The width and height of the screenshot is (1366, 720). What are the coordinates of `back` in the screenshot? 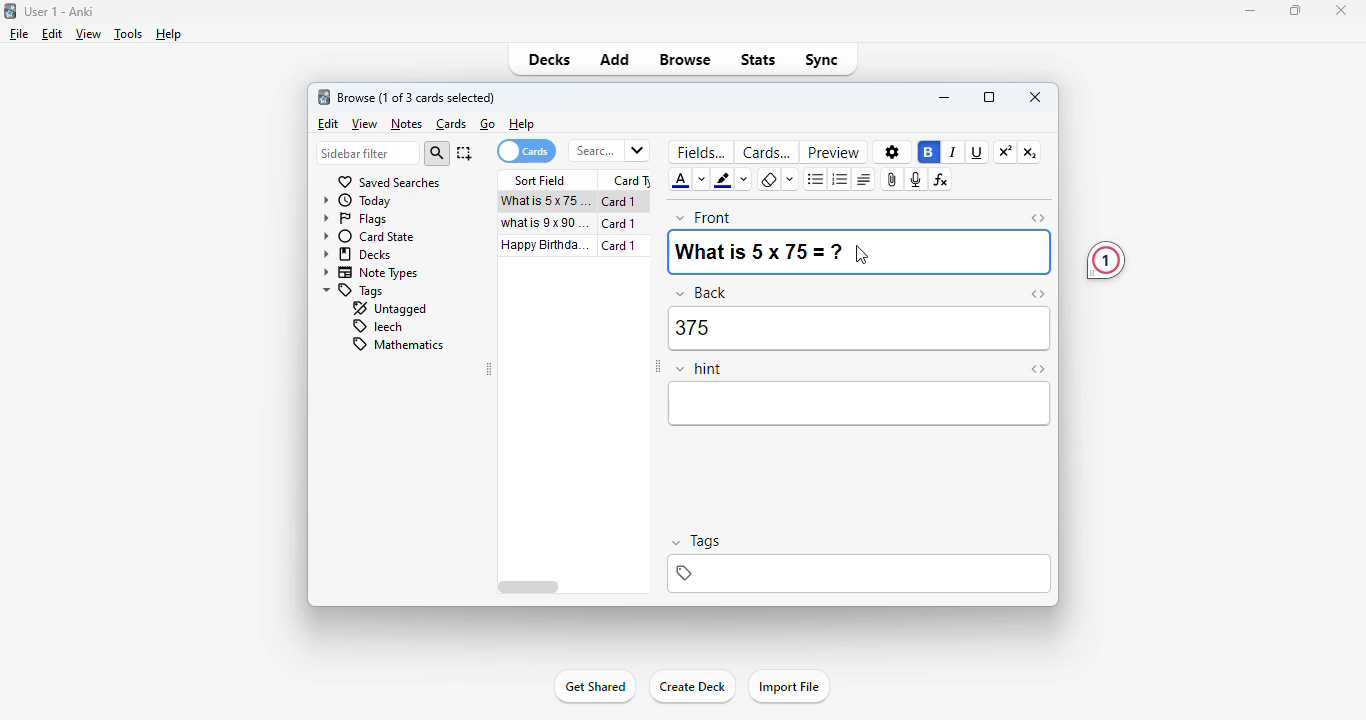 It's located at (702, 293).